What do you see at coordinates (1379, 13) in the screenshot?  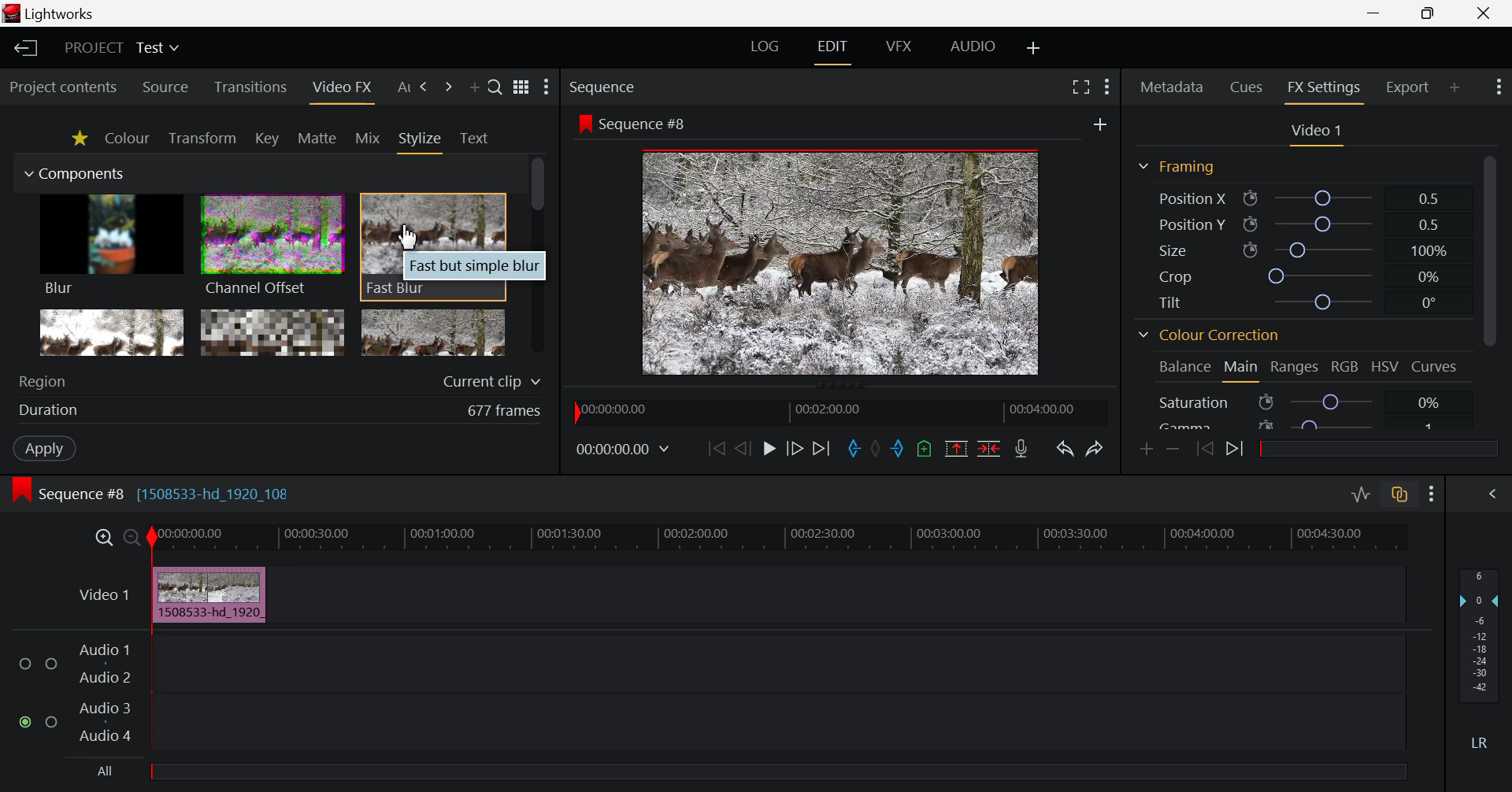 I see `Restore Down` at bounding box center [1379, 13].